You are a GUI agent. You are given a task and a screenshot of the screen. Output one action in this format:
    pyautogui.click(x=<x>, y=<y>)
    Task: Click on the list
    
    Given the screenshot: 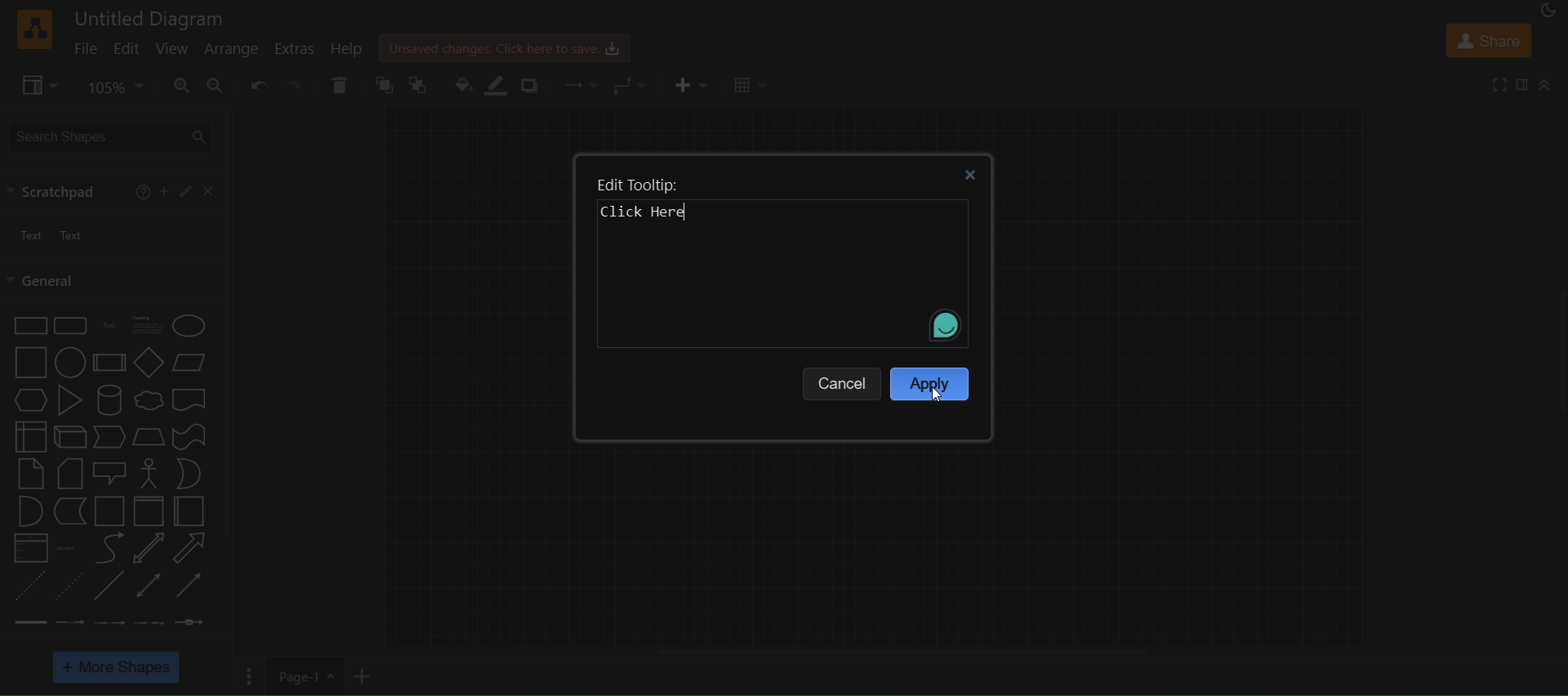 What is the action you would take?
    pyautogui.click(x=30, y=548)
    